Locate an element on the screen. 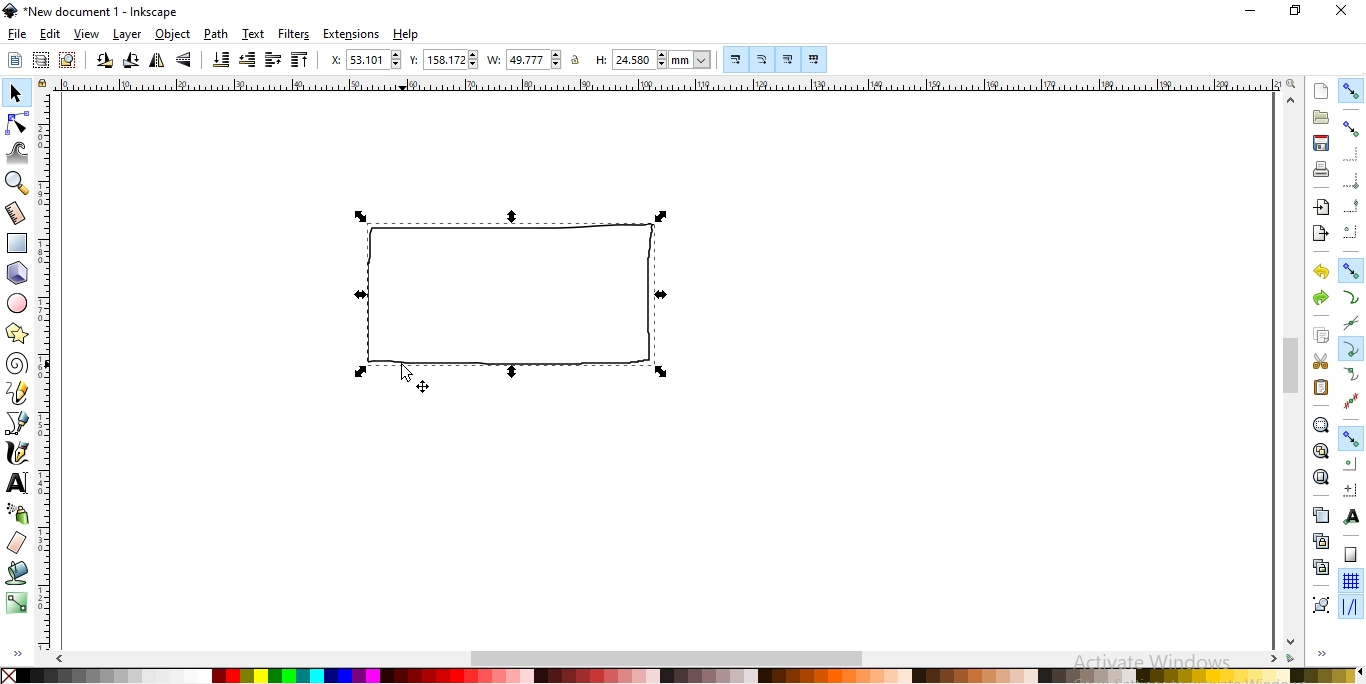  horizontal coordinate of selection is located at coordinates (363, 59).